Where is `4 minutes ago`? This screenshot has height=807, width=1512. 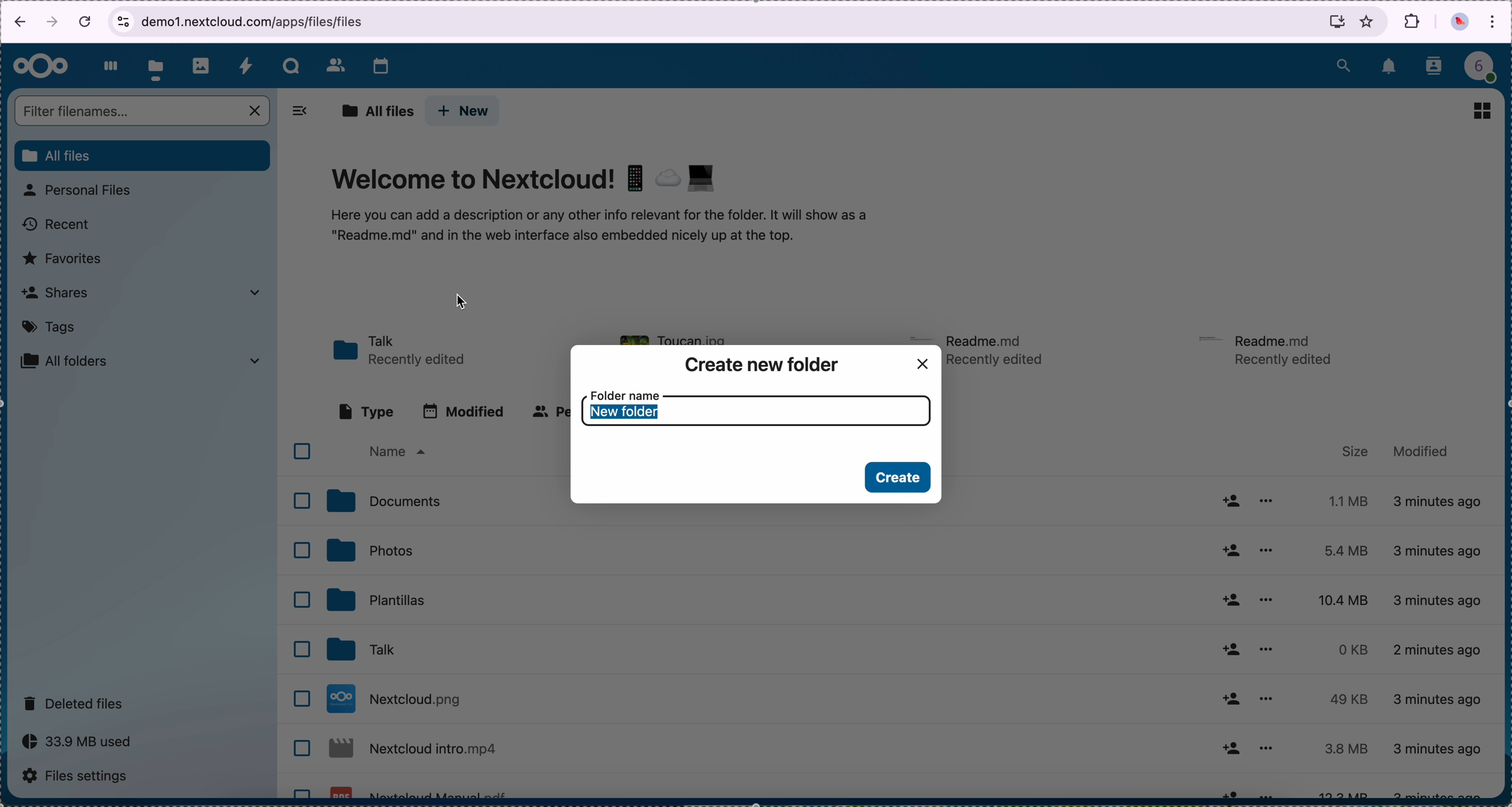 4 minutes ago is located at coordinates (1440, 551).